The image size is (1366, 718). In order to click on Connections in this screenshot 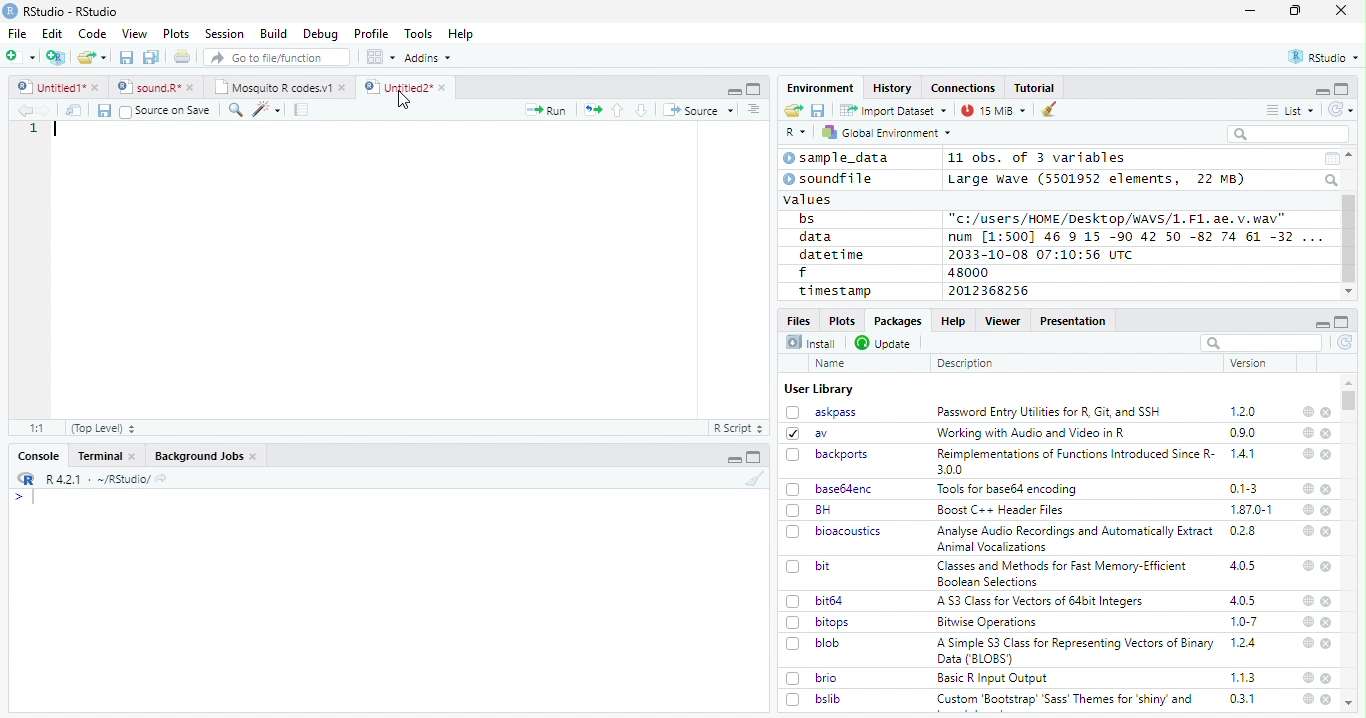, I will do `click(962, 88)`.